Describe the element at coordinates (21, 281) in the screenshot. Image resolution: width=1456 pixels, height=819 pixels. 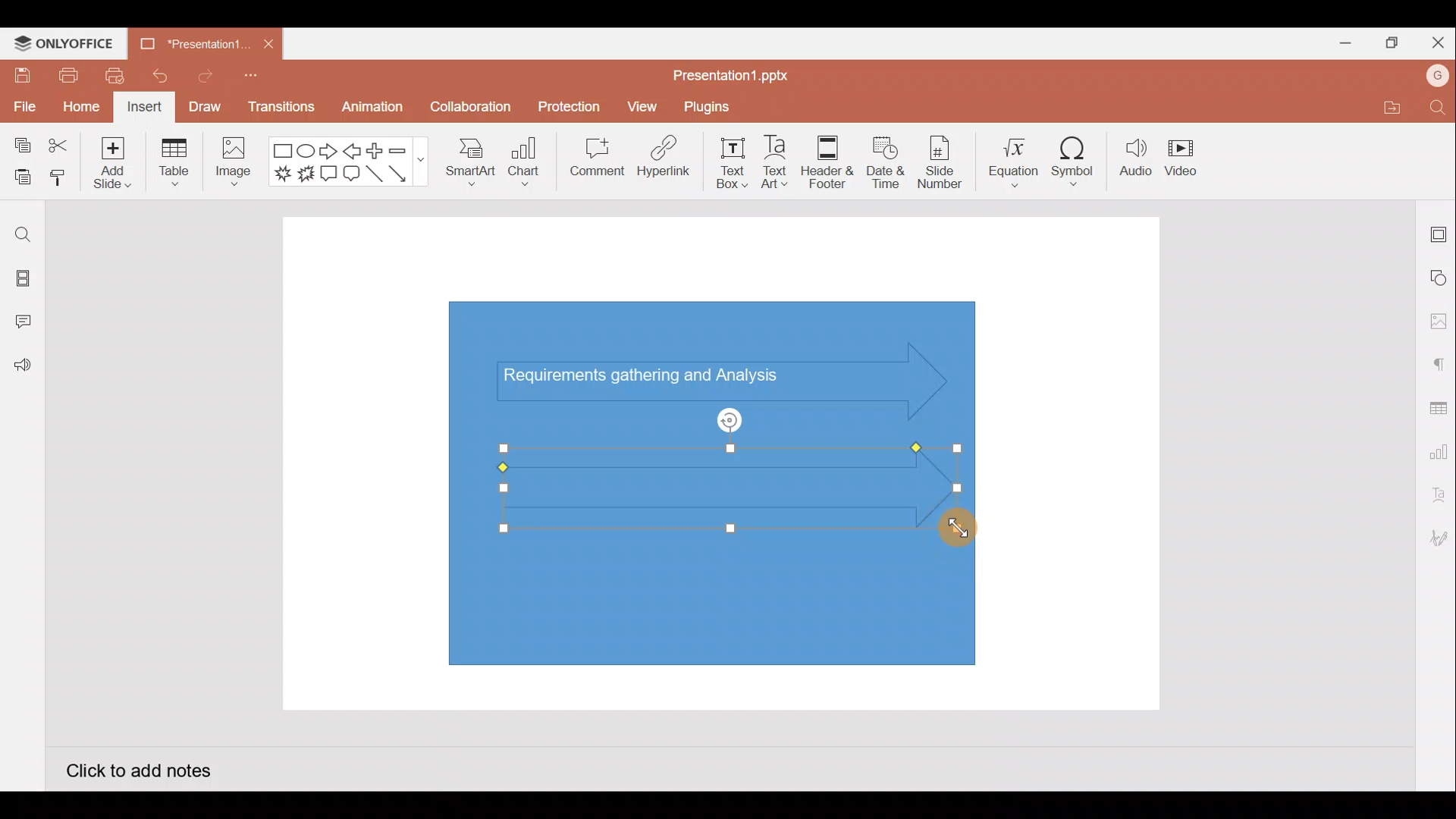
I see `Slides` at that location.